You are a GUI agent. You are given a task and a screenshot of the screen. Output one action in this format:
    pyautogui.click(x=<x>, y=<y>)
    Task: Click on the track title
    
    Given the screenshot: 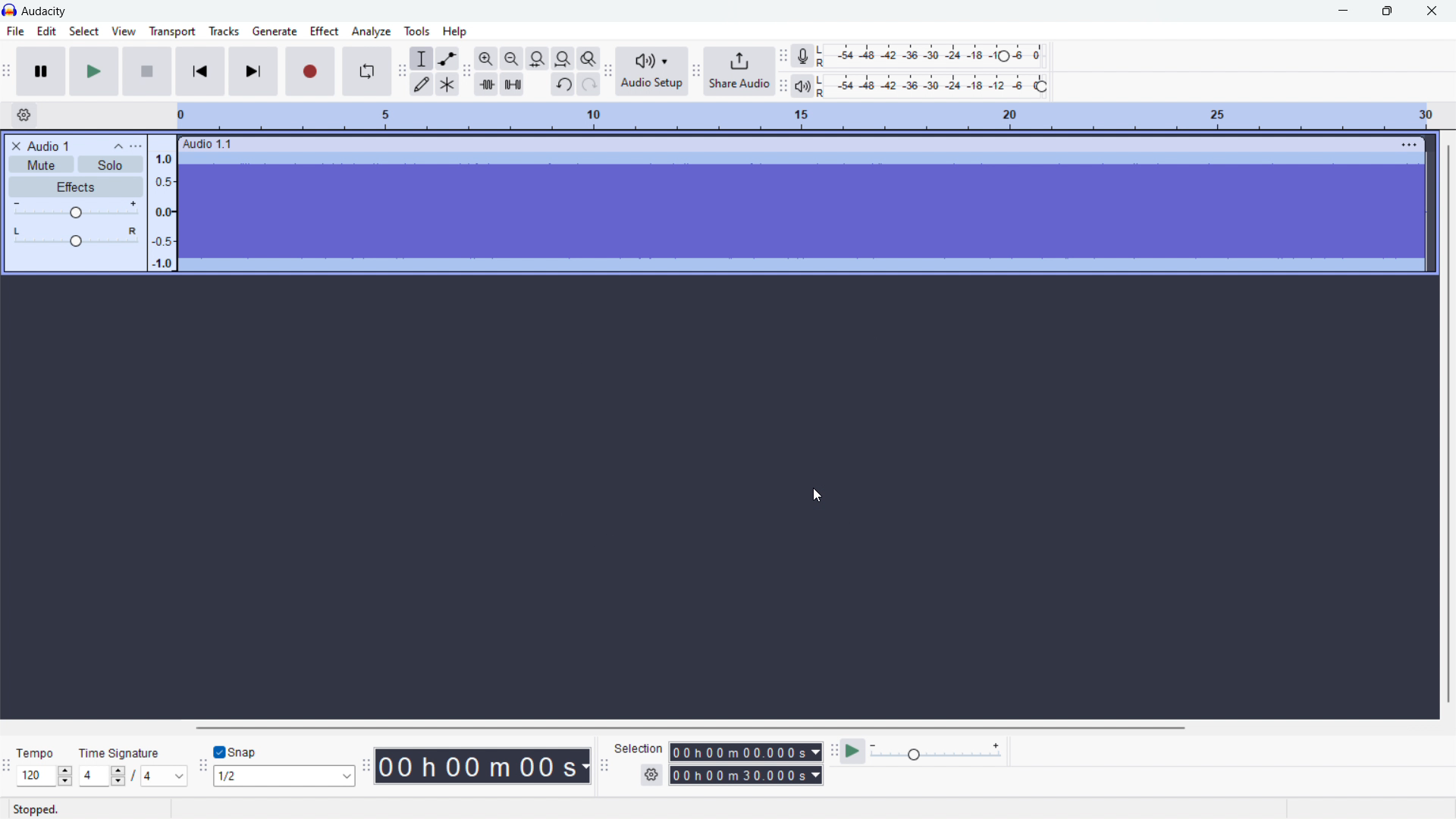 What is the action you would take?
    pyautogui.click(x=49, y=146)
    